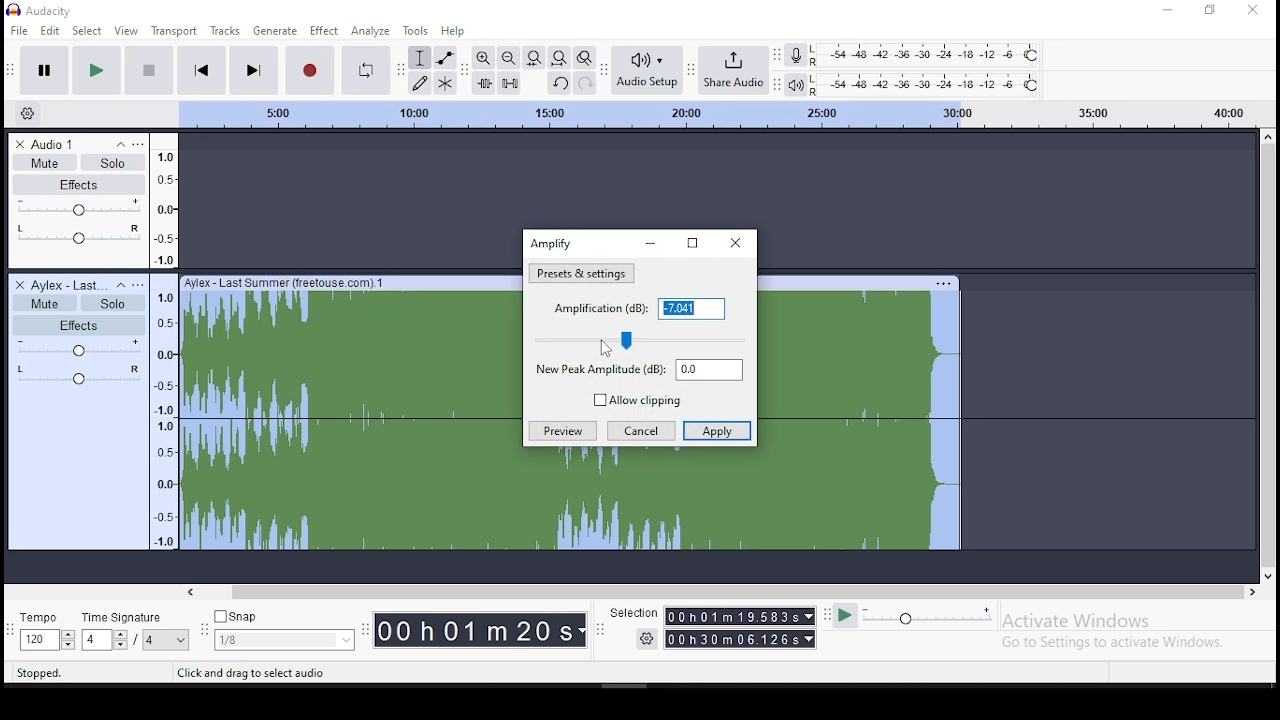 This screenshot has height=720, width=1280. Describe the element at coordinates (638, 496) in the screenshot. I see `track` at that location.